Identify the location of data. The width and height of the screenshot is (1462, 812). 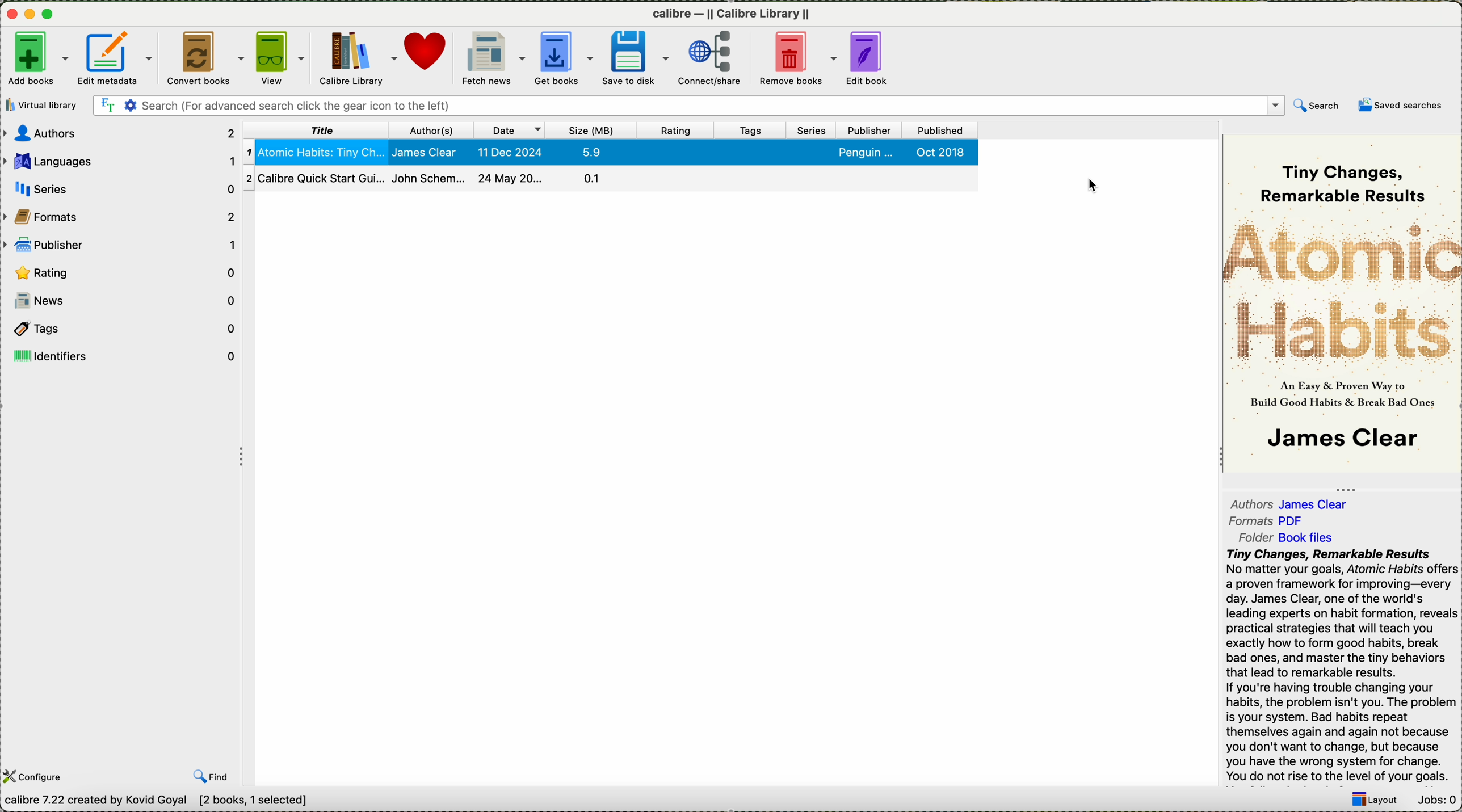
(177, 801).